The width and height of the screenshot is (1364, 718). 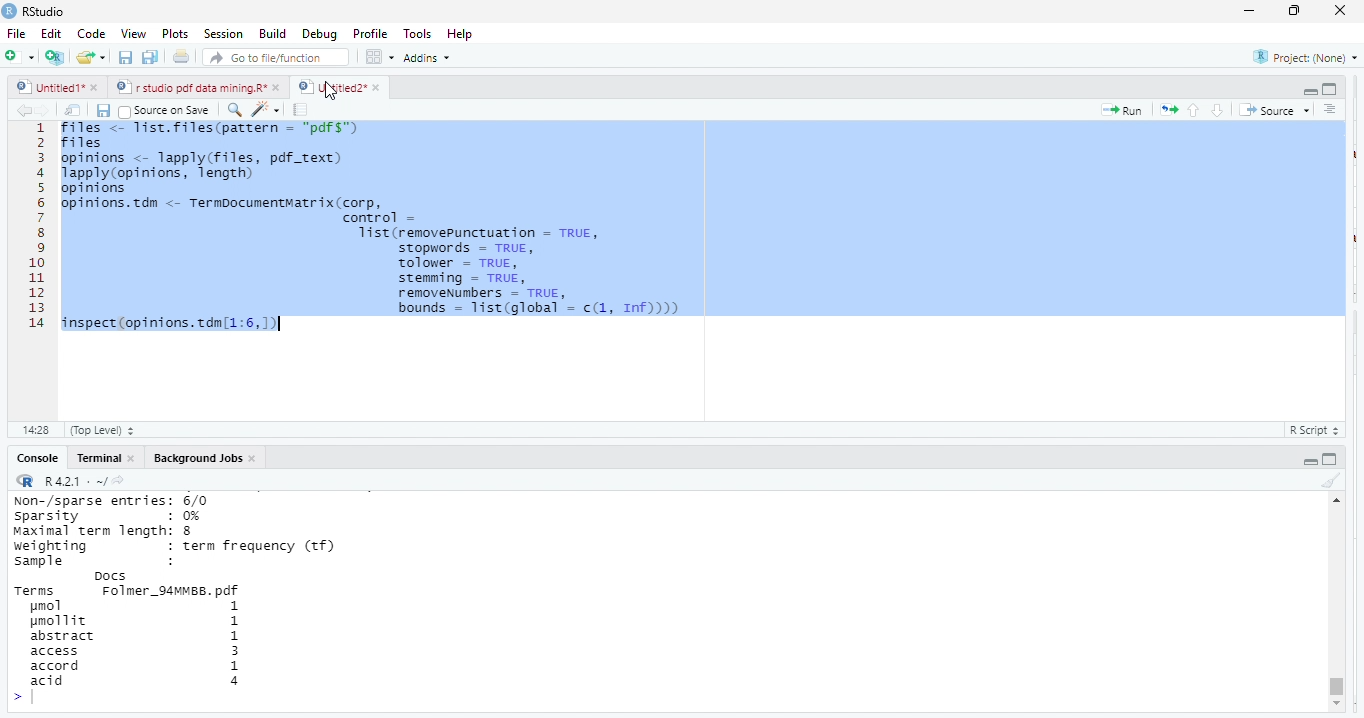 I want to click on find /replace, so click(x=234, y=109).